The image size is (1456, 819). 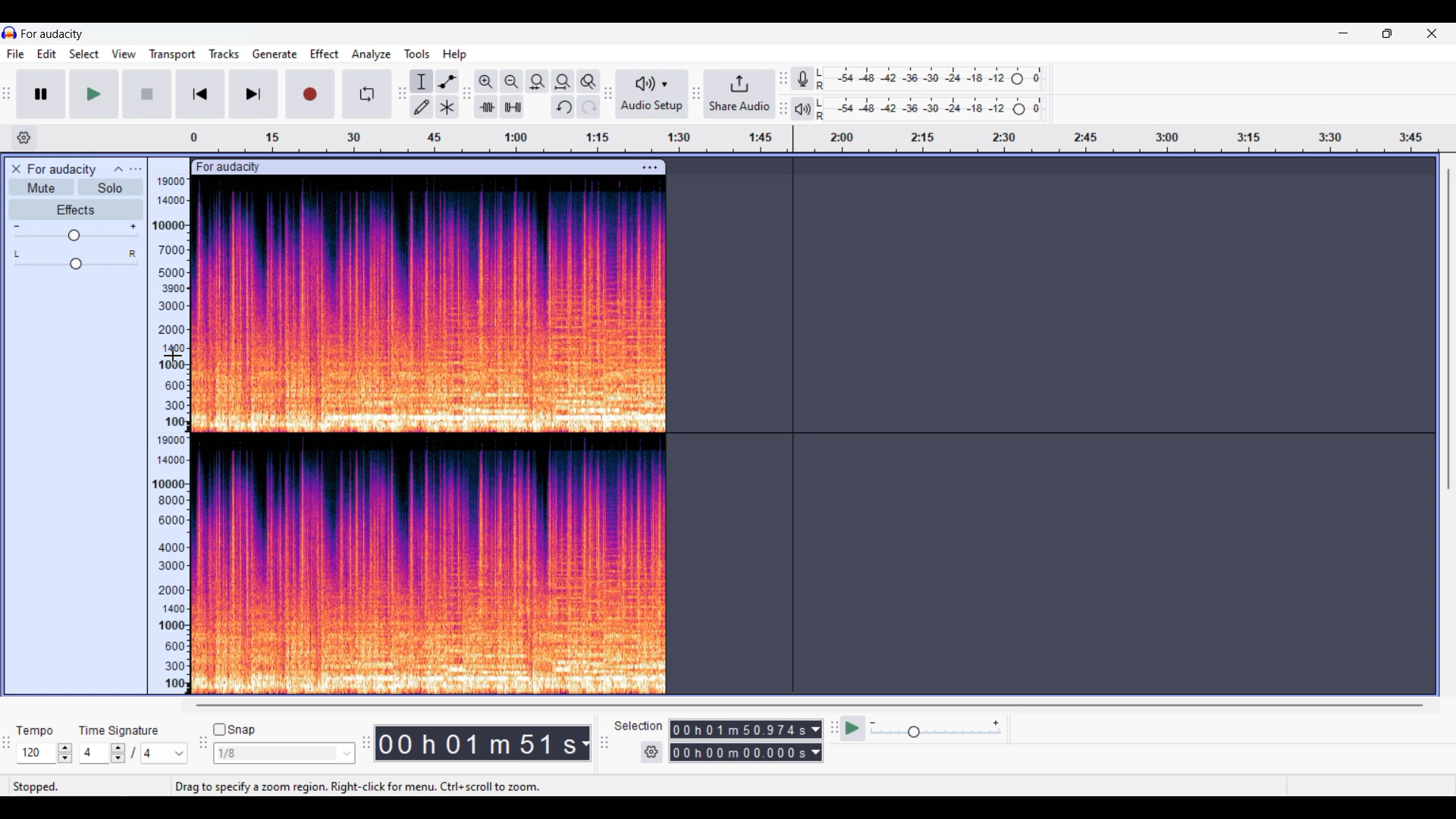 I want to click on Snap options, so click(x=285, y=753).